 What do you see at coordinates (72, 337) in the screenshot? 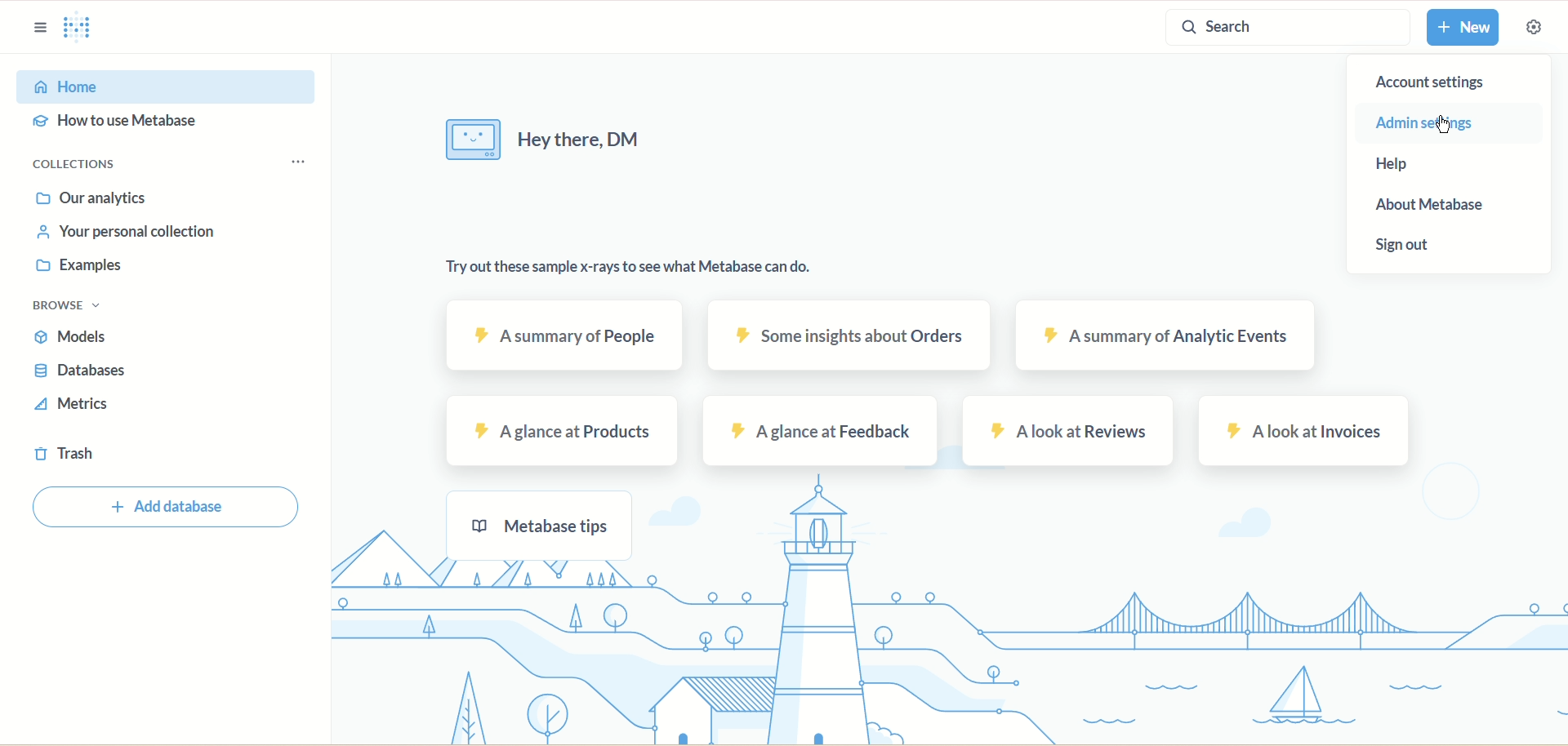
I see `Models` at bounding box center [72, 337].